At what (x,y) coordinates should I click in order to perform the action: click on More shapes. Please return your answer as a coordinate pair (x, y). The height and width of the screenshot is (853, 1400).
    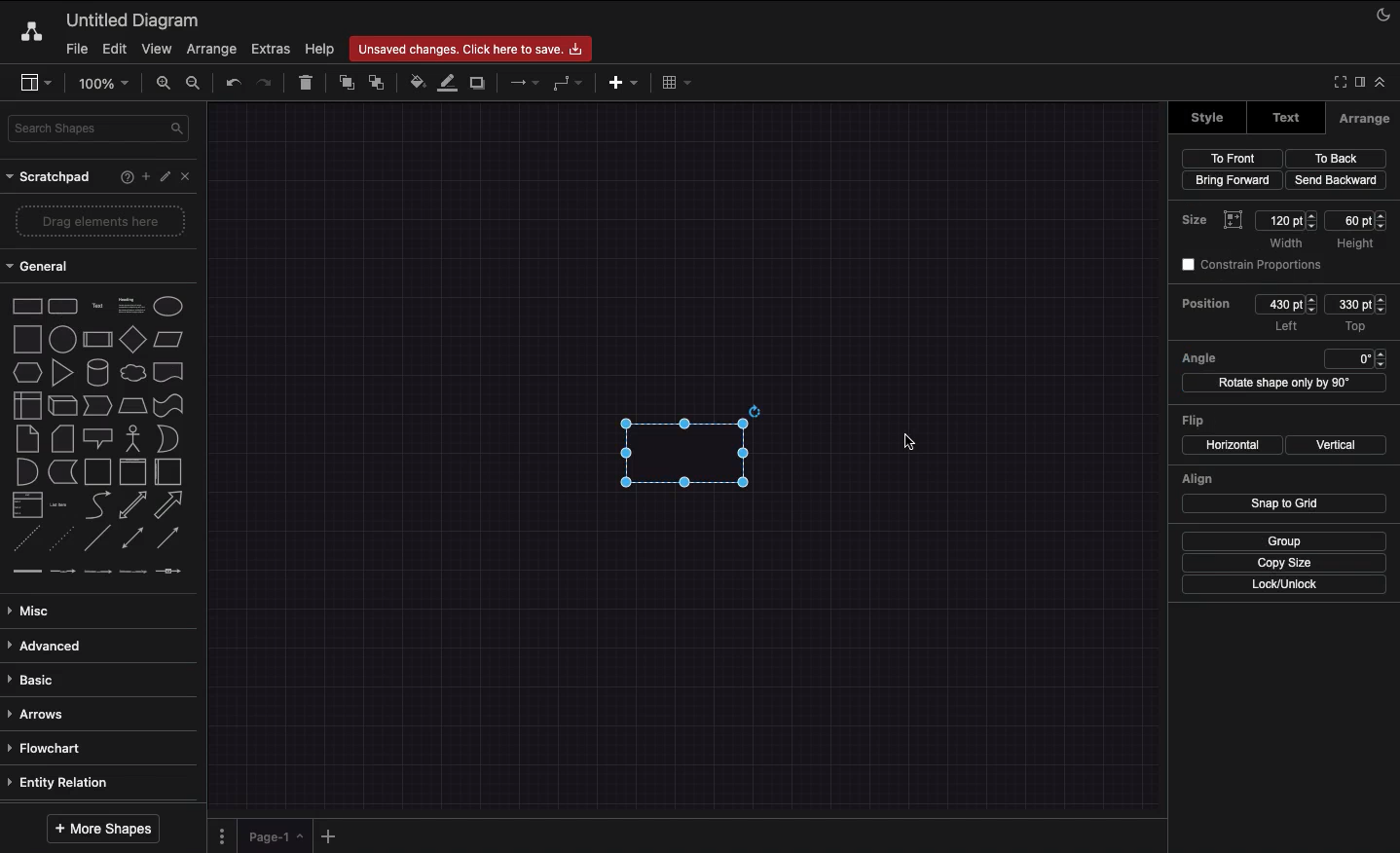
    Looking at the image, I should click on (103, 829).